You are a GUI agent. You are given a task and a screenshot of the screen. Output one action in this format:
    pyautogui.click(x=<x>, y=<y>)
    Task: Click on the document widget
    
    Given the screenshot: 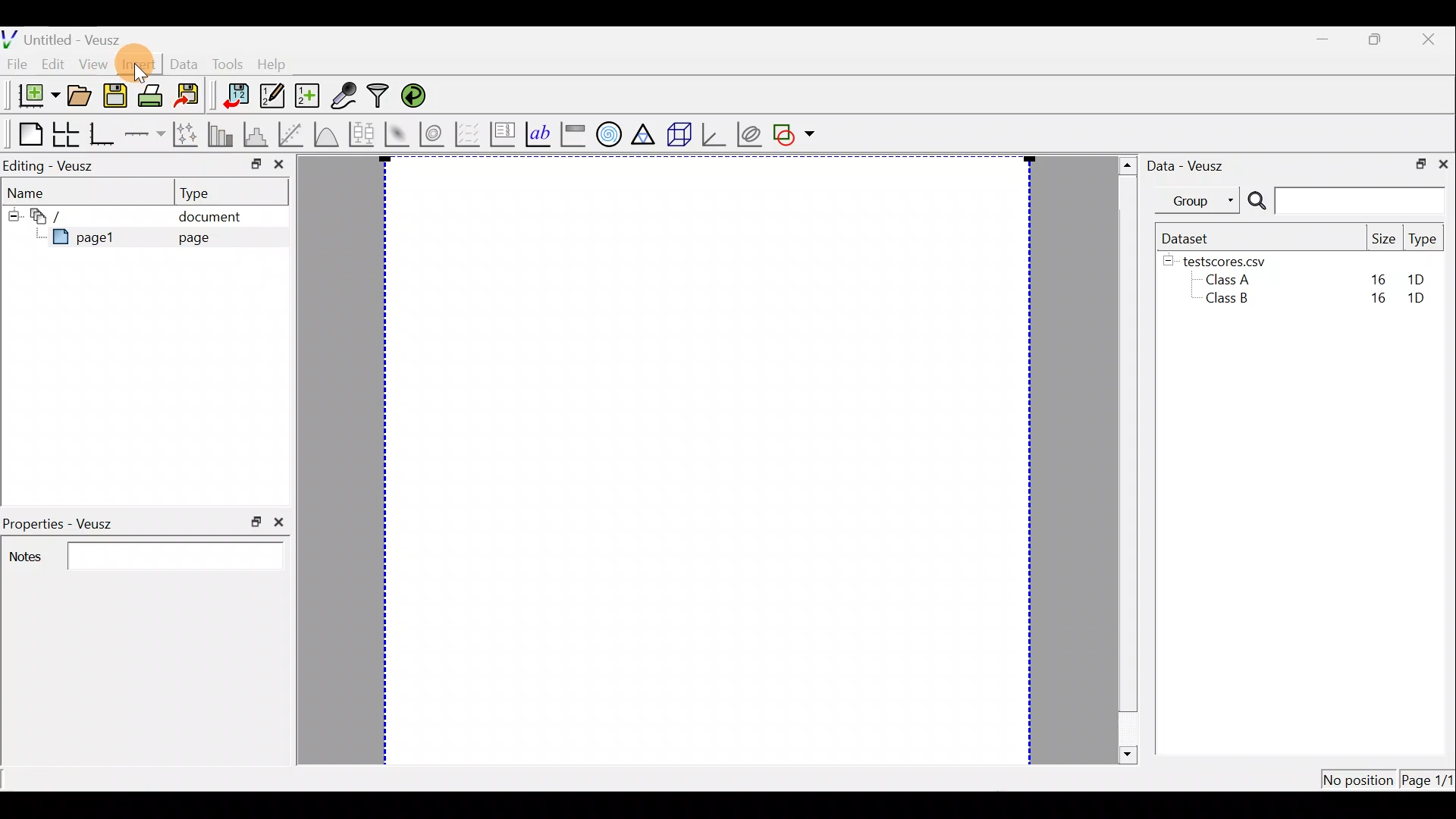 What is the action you would take?
    pyautogui.click(x=45, y=218)
    